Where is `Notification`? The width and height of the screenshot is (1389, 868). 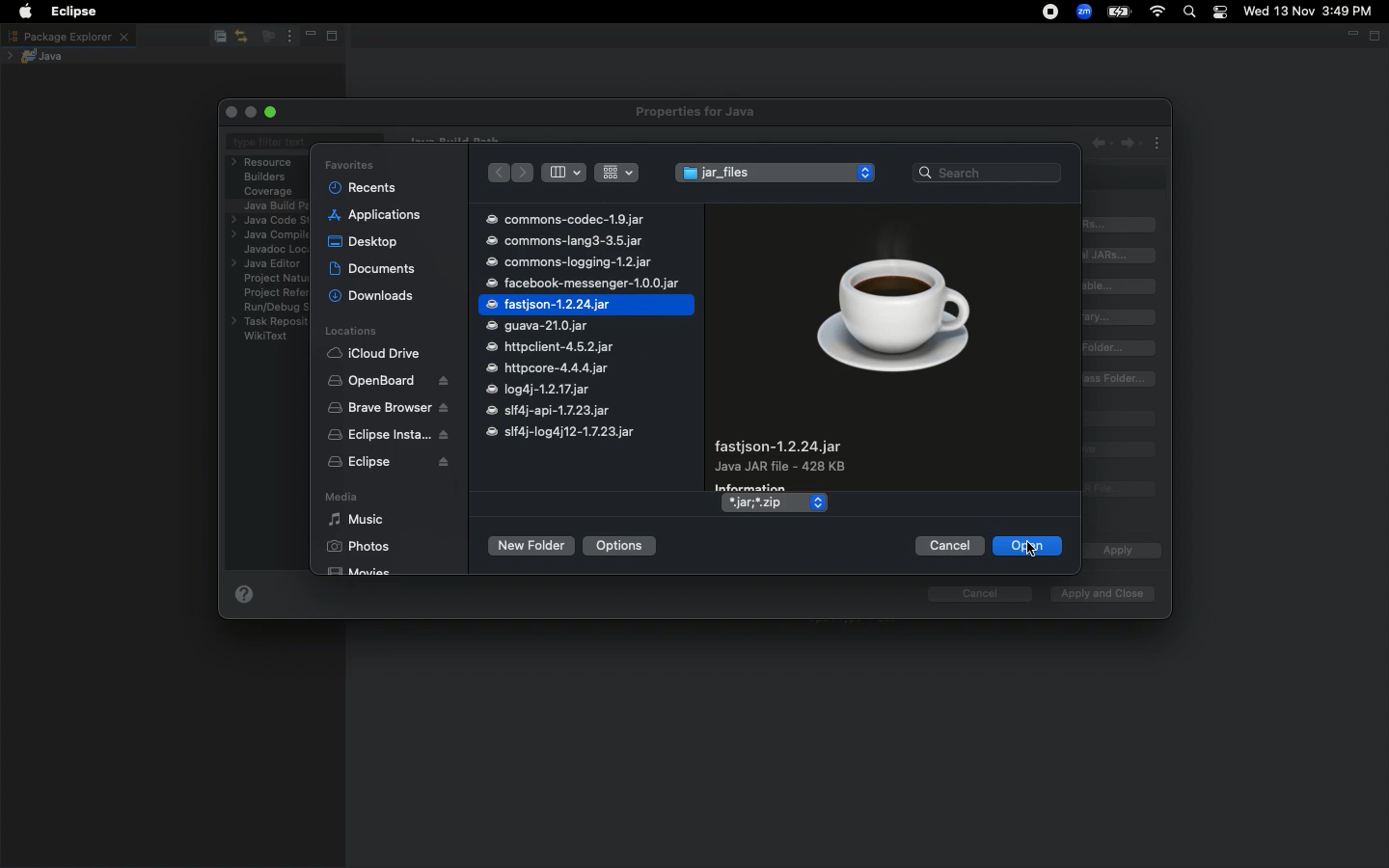 Notification is located at coordinates (1222, 13).